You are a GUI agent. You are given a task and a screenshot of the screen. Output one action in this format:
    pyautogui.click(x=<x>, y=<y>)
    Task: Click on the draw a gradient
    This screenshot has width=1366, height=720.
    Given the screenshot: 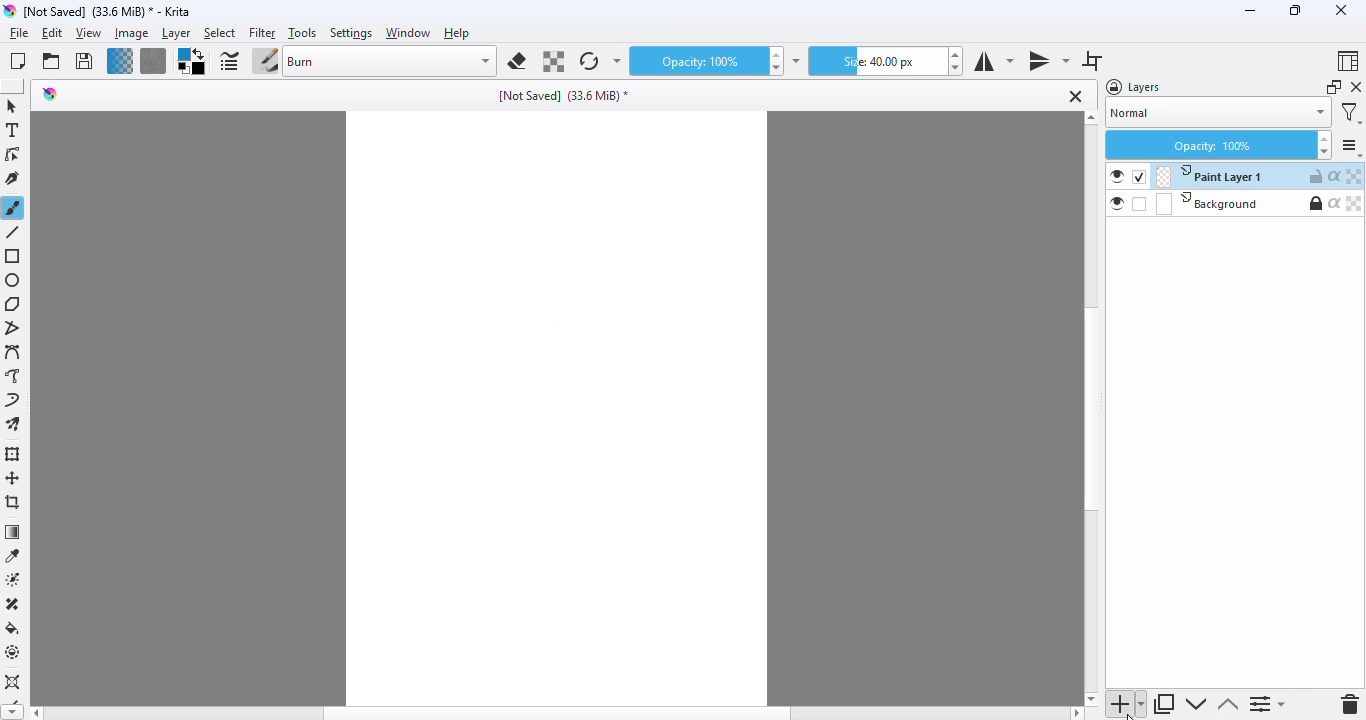 What is the action you would take?
    pyautogui.click(x=13, y=532)
    